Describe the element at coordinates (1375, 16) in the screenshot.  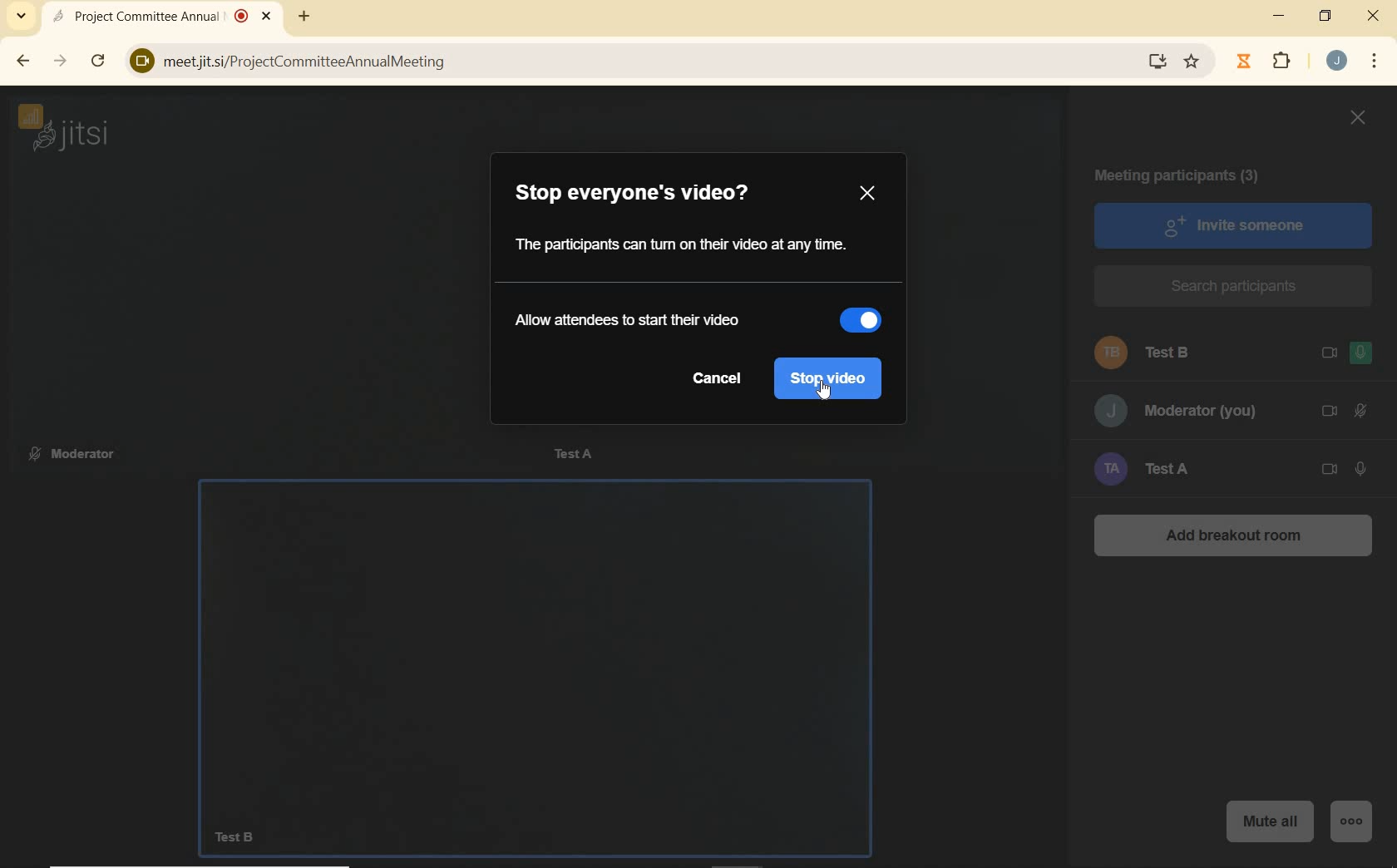
I see `CLOSE` at that location.